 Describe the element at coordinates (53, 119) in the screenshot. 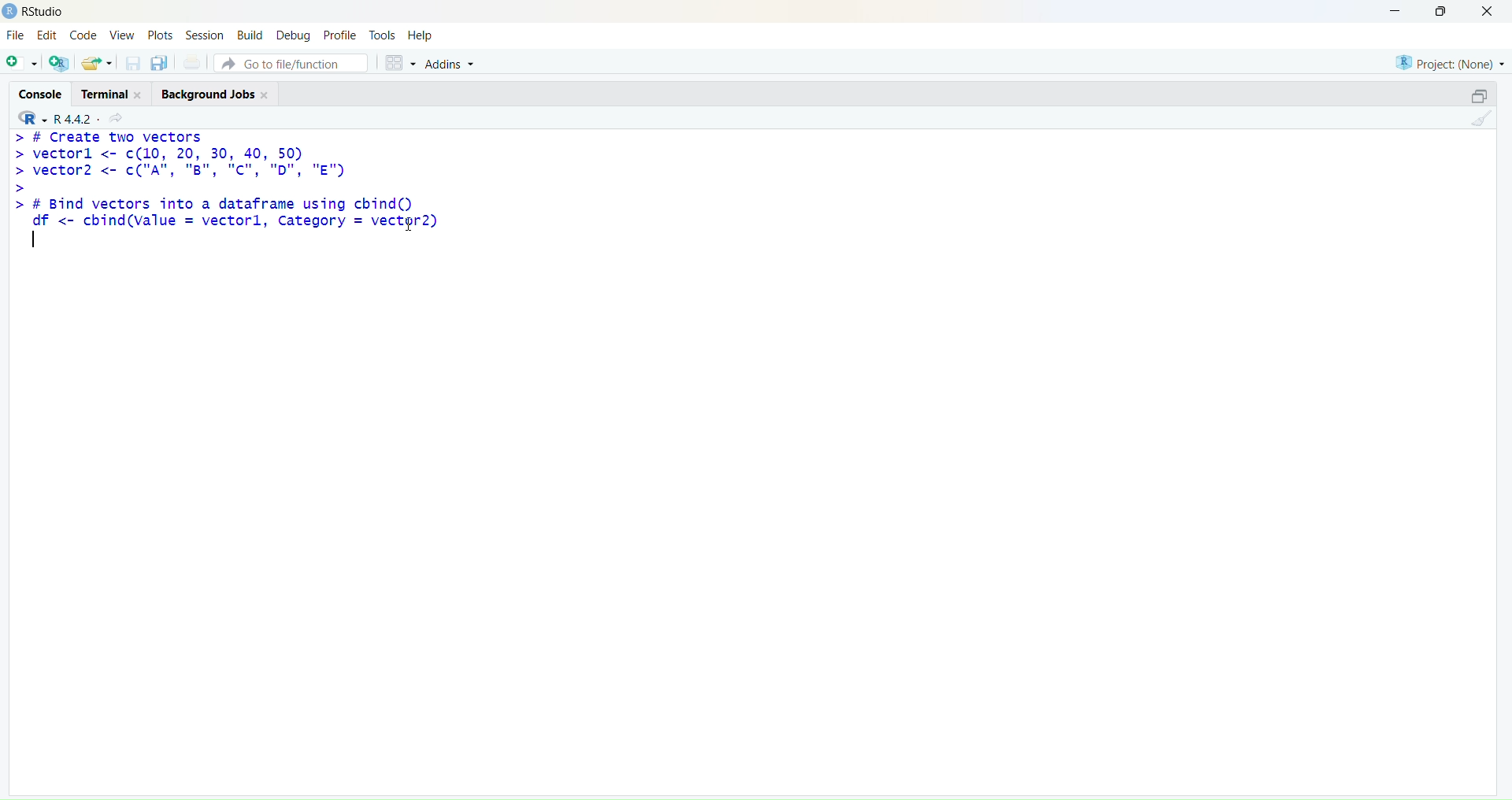

I see ` R 4.4.2` at that location.